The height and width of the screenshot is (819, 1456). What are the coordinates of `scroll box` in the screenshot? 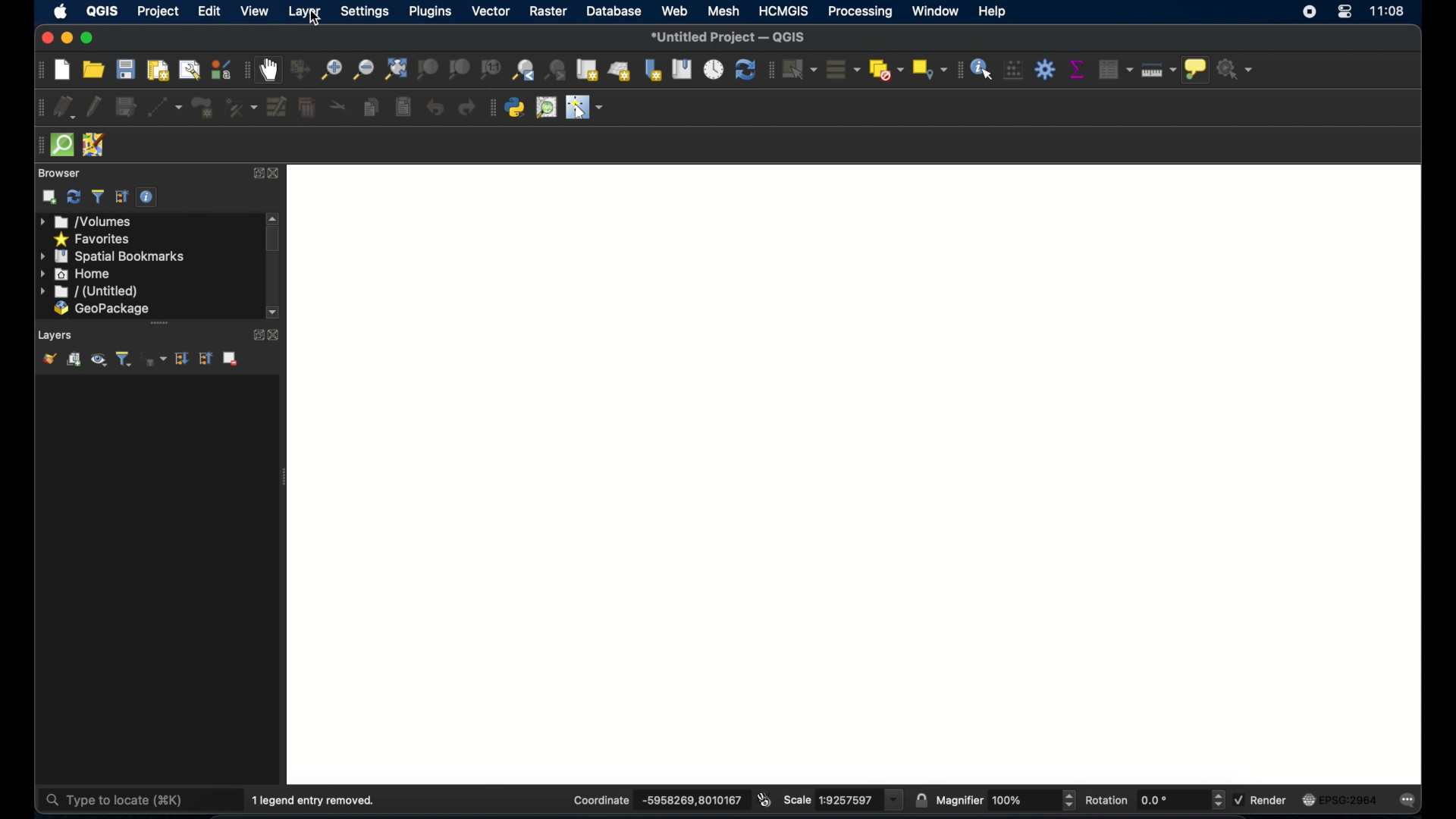 It's located at (275, 240).